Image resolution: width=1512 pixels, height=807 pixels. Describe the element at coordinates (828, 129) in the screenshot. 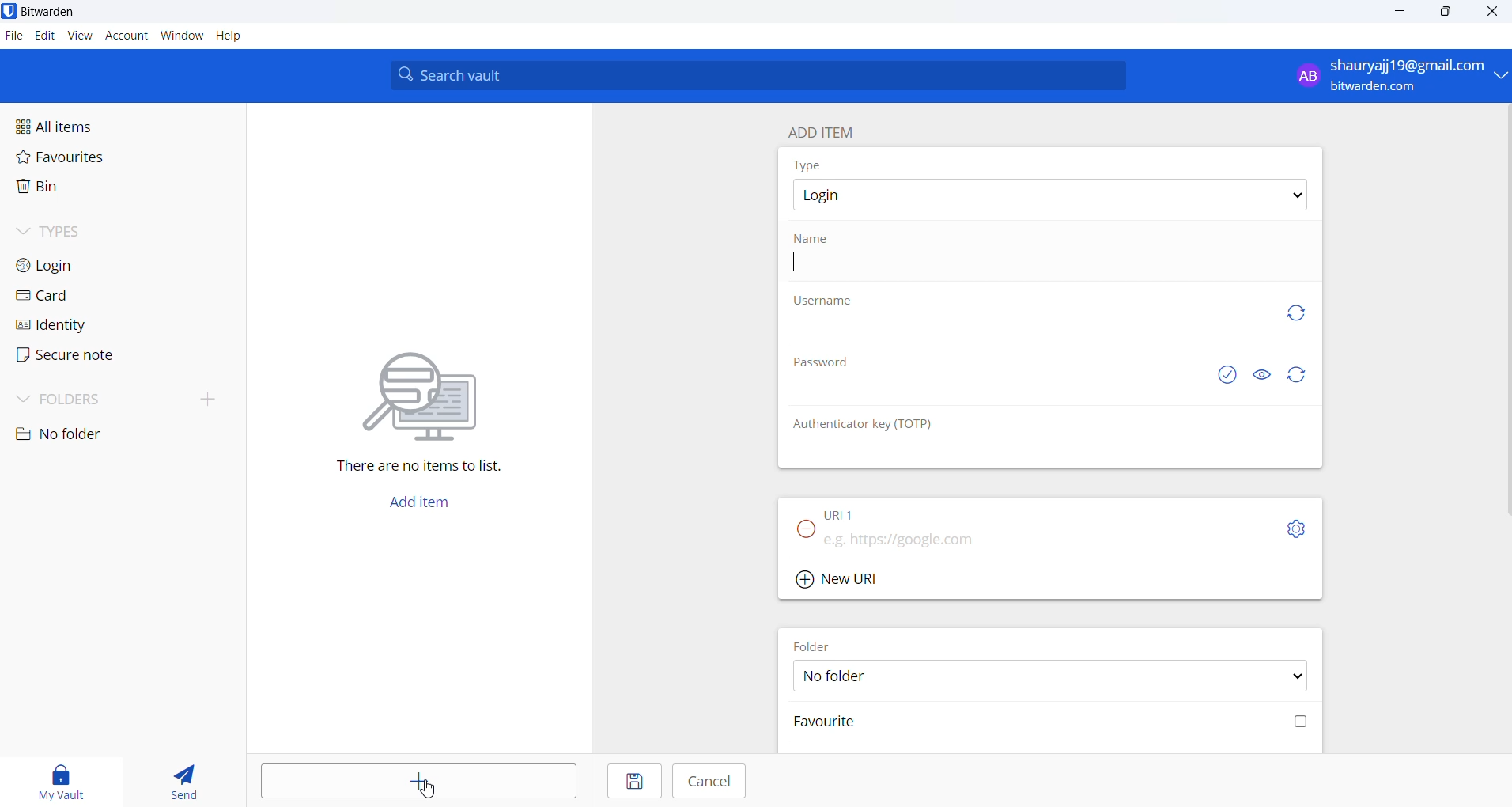

I see `ADD ITEM` at that location.